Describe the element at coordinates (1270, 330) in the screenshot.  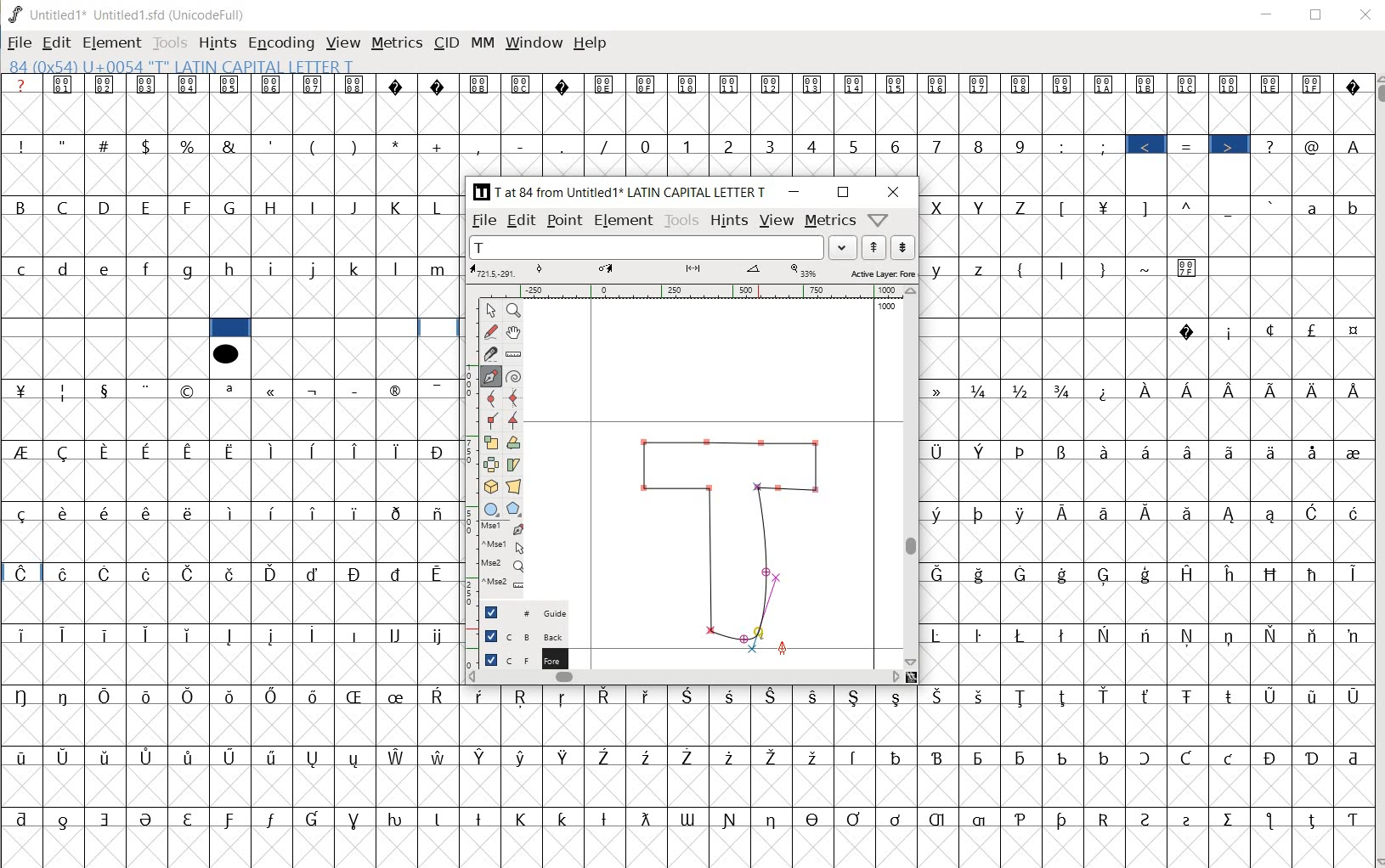
I see `Symbol` at that location.